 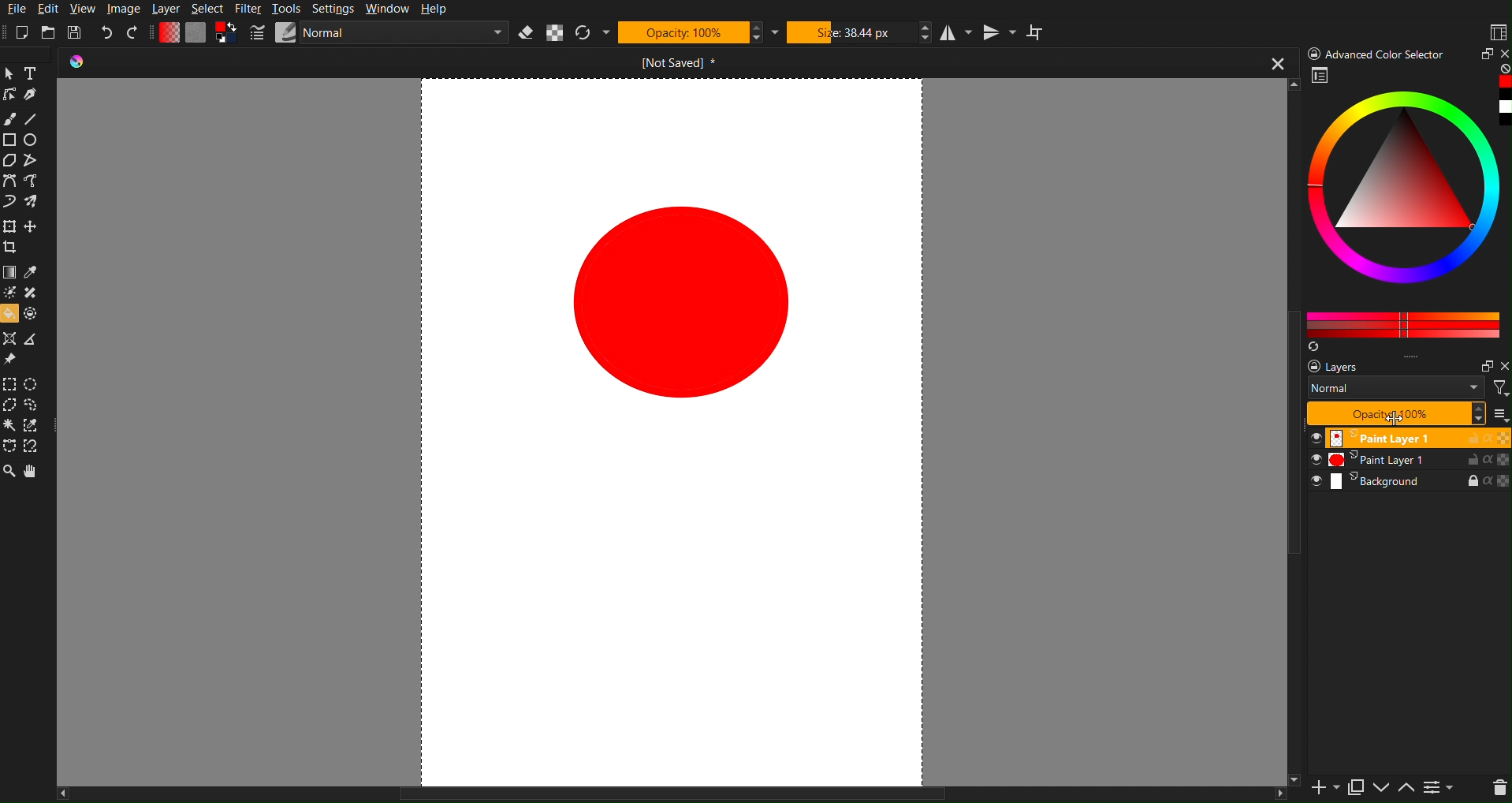 I want to click on Page list, so click(x=1443, y=789).